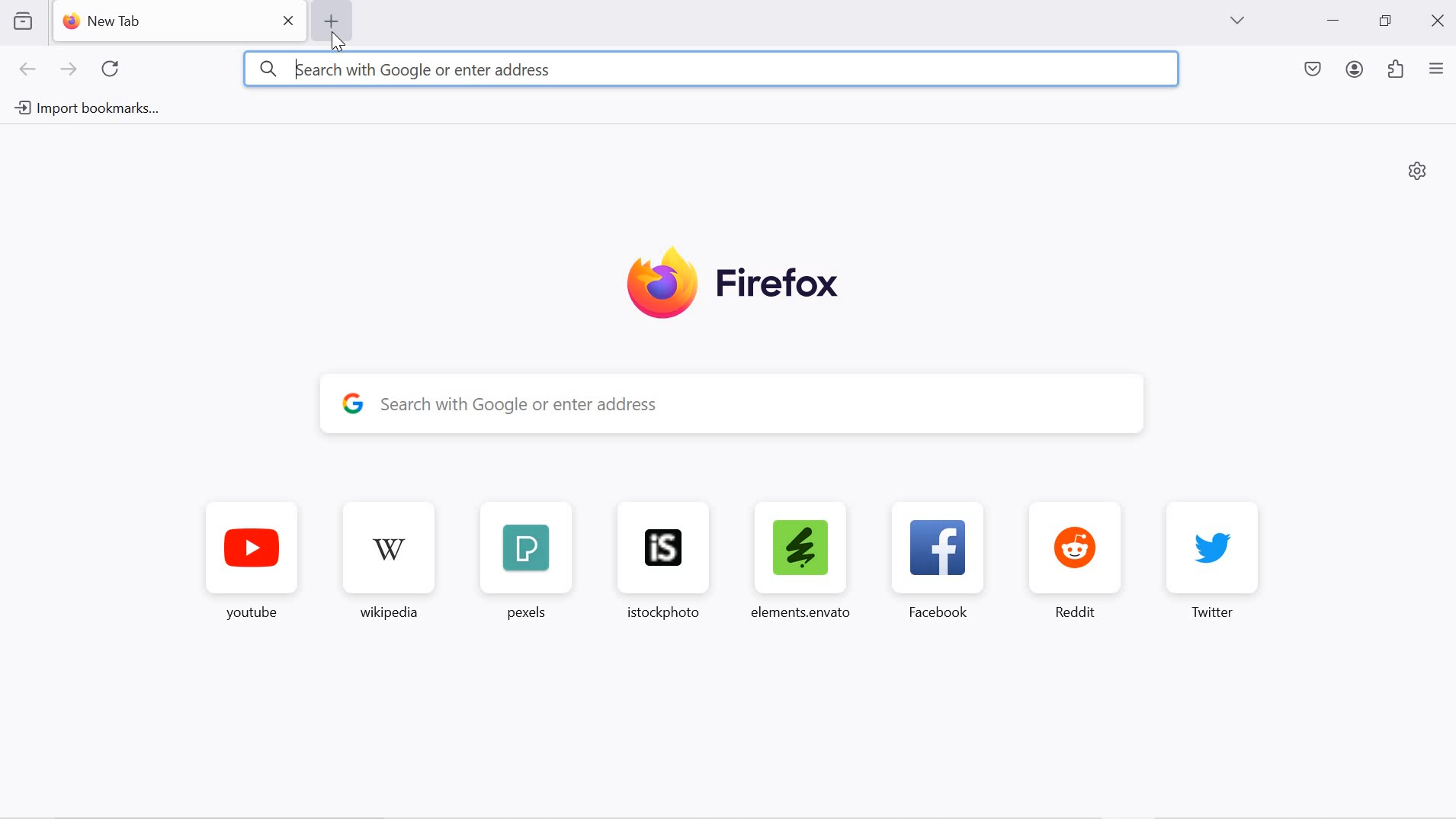 The width and height of the screenshot is (1456, 819). I want to click on go back, so click(29, 72).